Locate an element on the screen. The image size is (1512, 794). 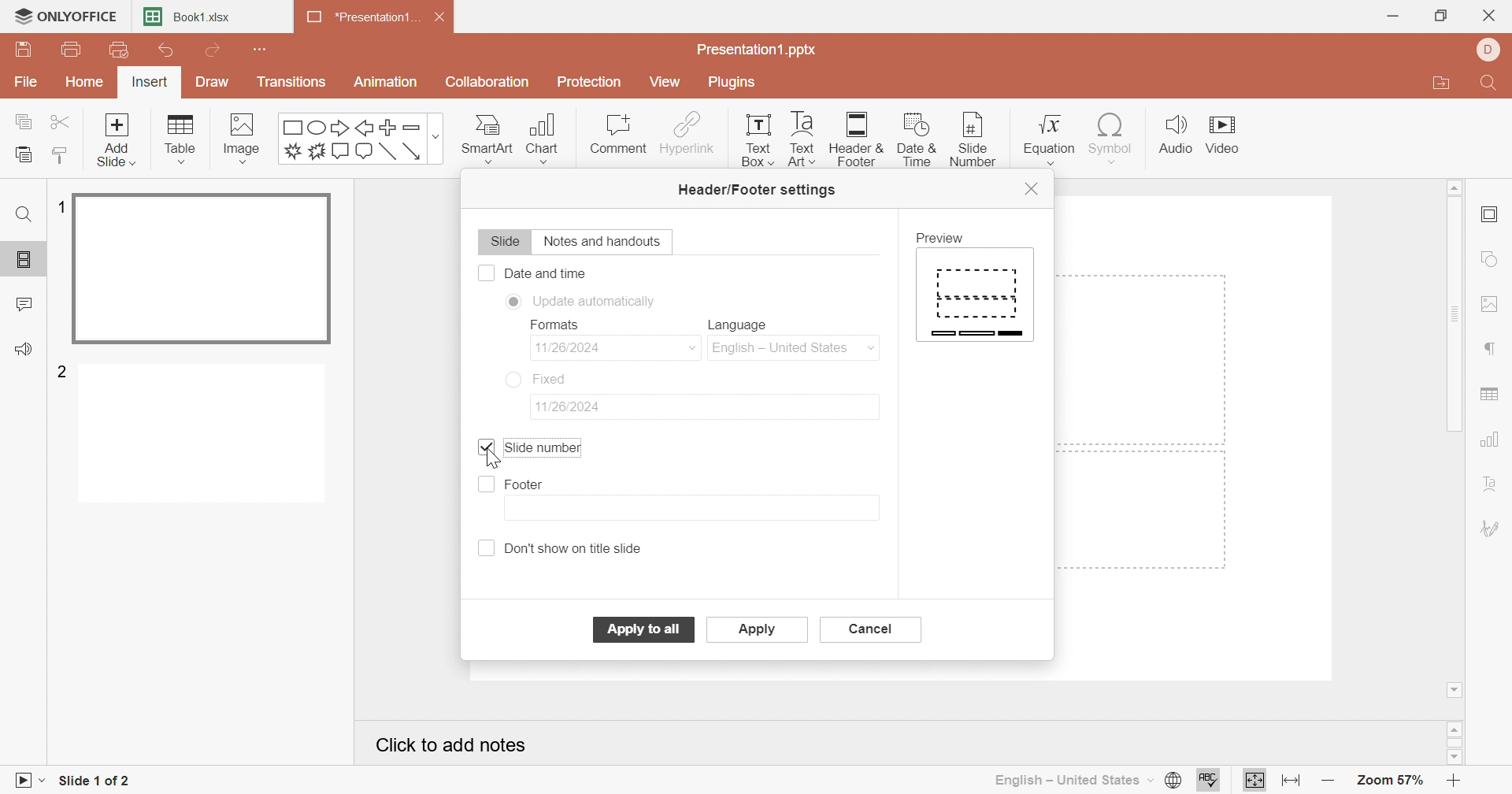
Notes and handouts is located at coordinates (606, 242).